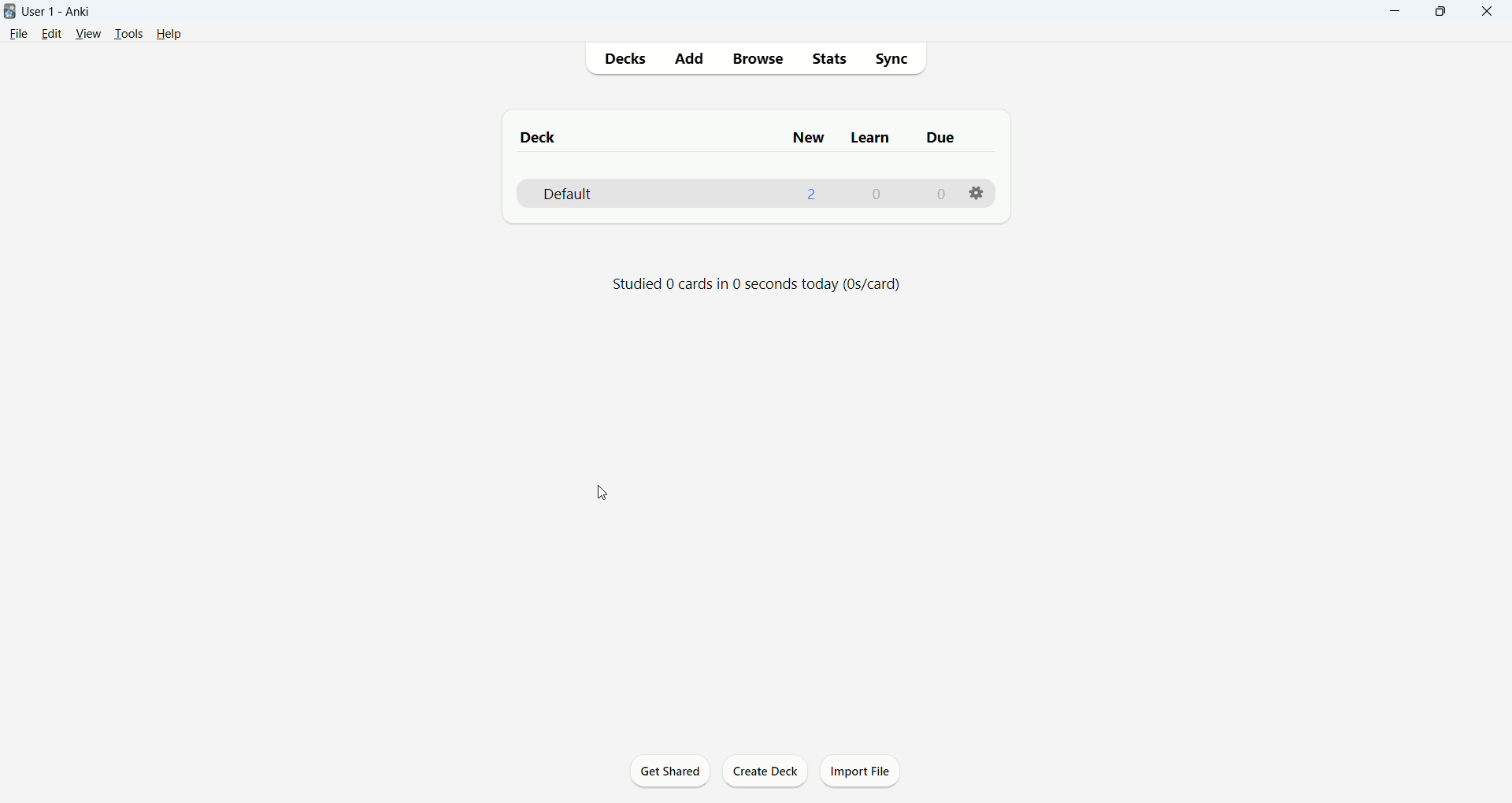  What do you see at coordinates (873, 139) in the screenshot?
I see `learn` at bounding box center [873, 139].